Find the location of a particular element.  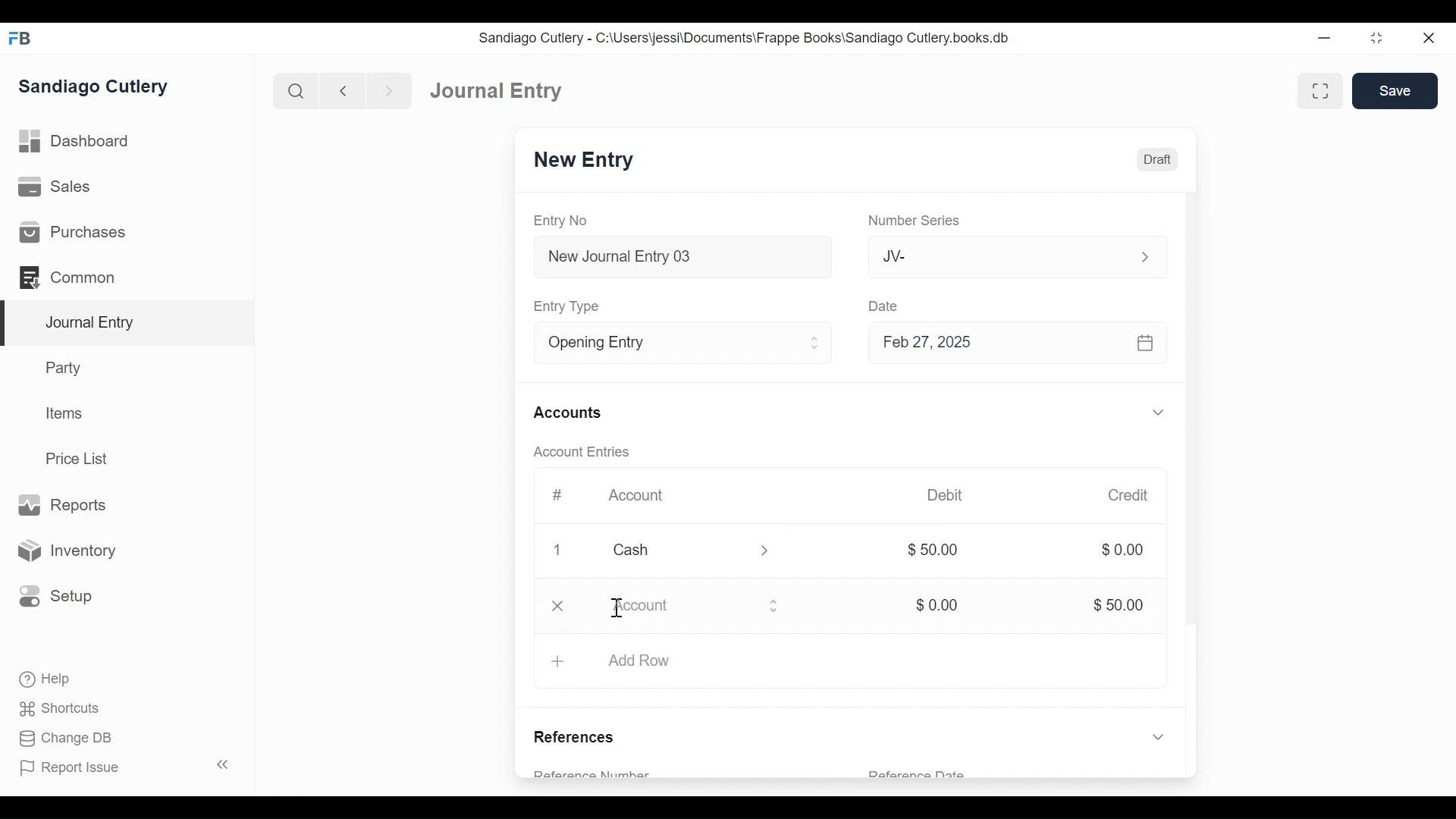

Entry Type is located at coordinates (570, 307).